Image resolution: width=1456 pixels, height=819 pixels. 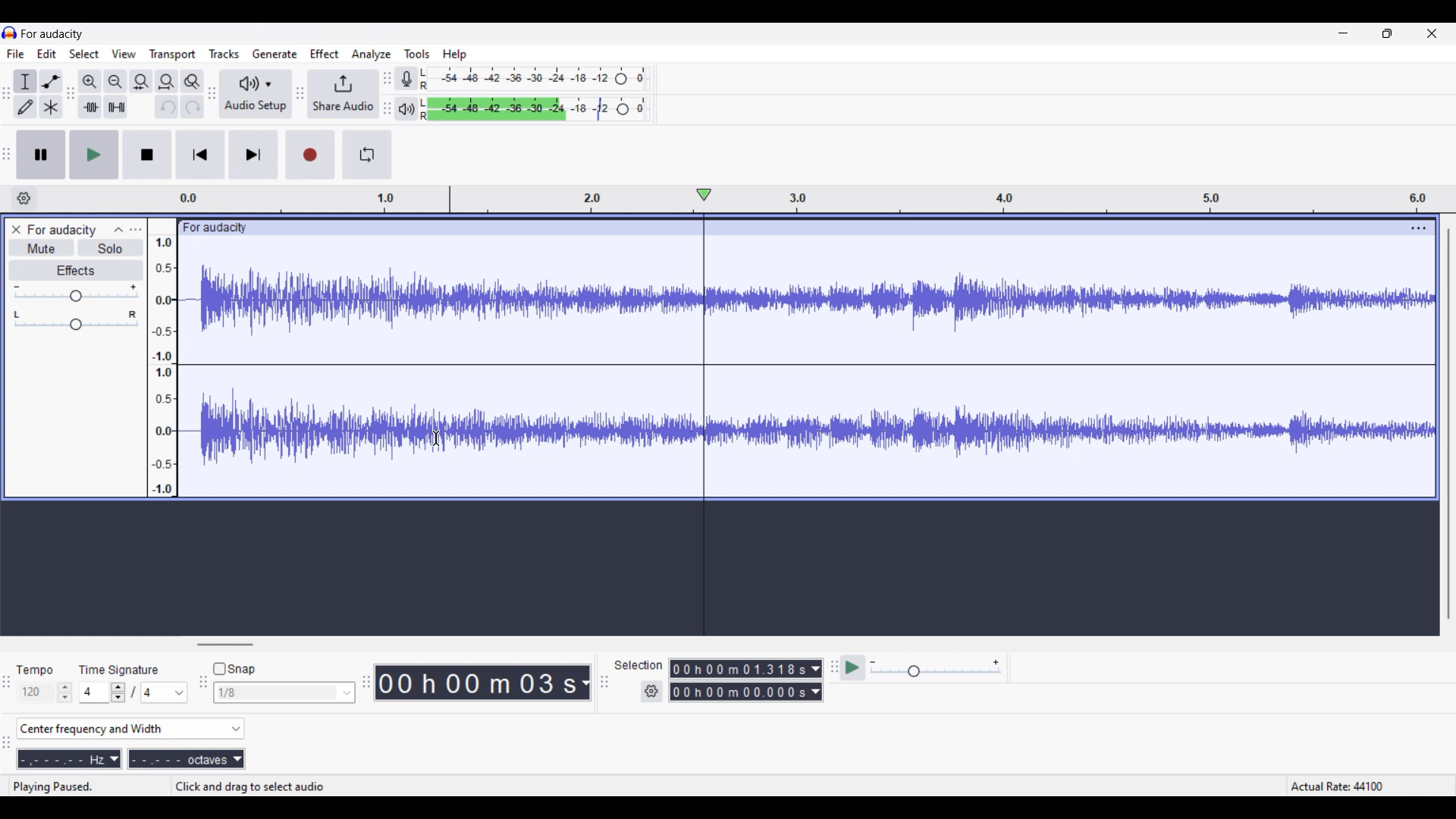 What do you see at coordinates (94, 155) in the screenshot?
I see `Play/Play once` at bounding box center [94, 155].